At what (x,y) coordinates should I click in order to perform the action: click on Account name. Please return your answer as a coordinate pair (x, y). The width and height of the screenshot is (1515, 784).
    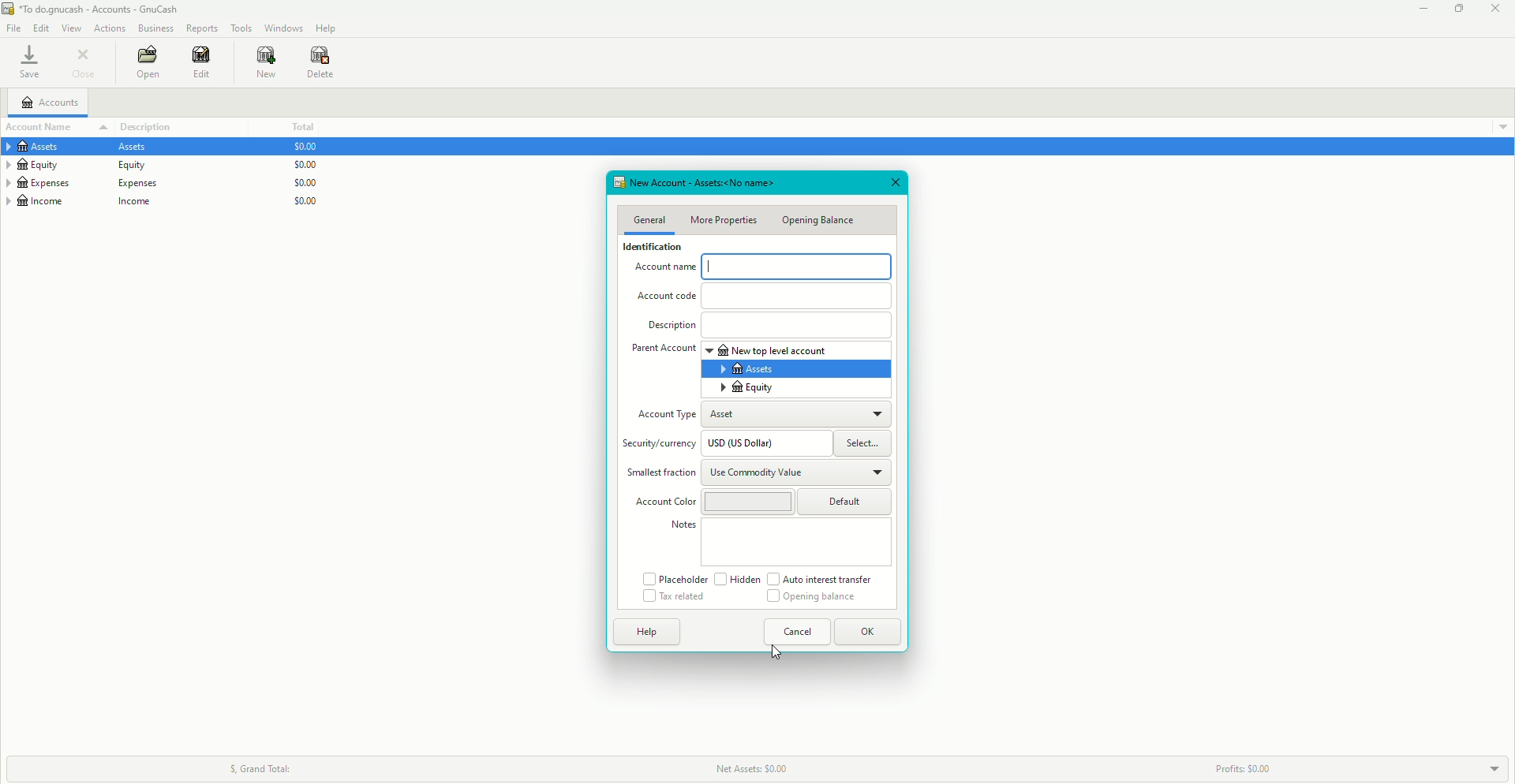
    Looking at the image, I should click on (42, 127).